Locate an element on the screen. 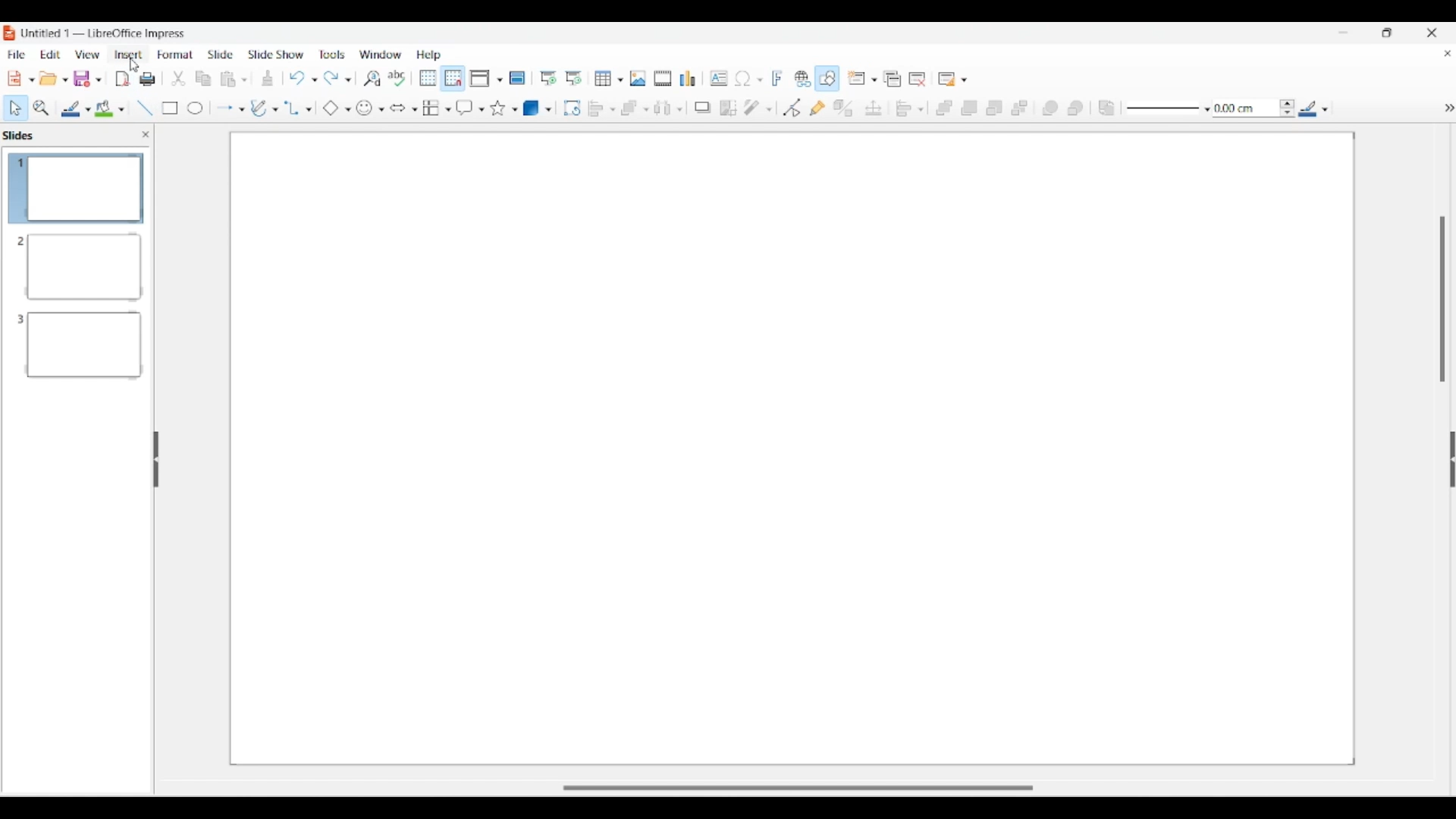 The width and height of the screenshot is (1456, 819). Align objects is located at coordinates (909, 108).